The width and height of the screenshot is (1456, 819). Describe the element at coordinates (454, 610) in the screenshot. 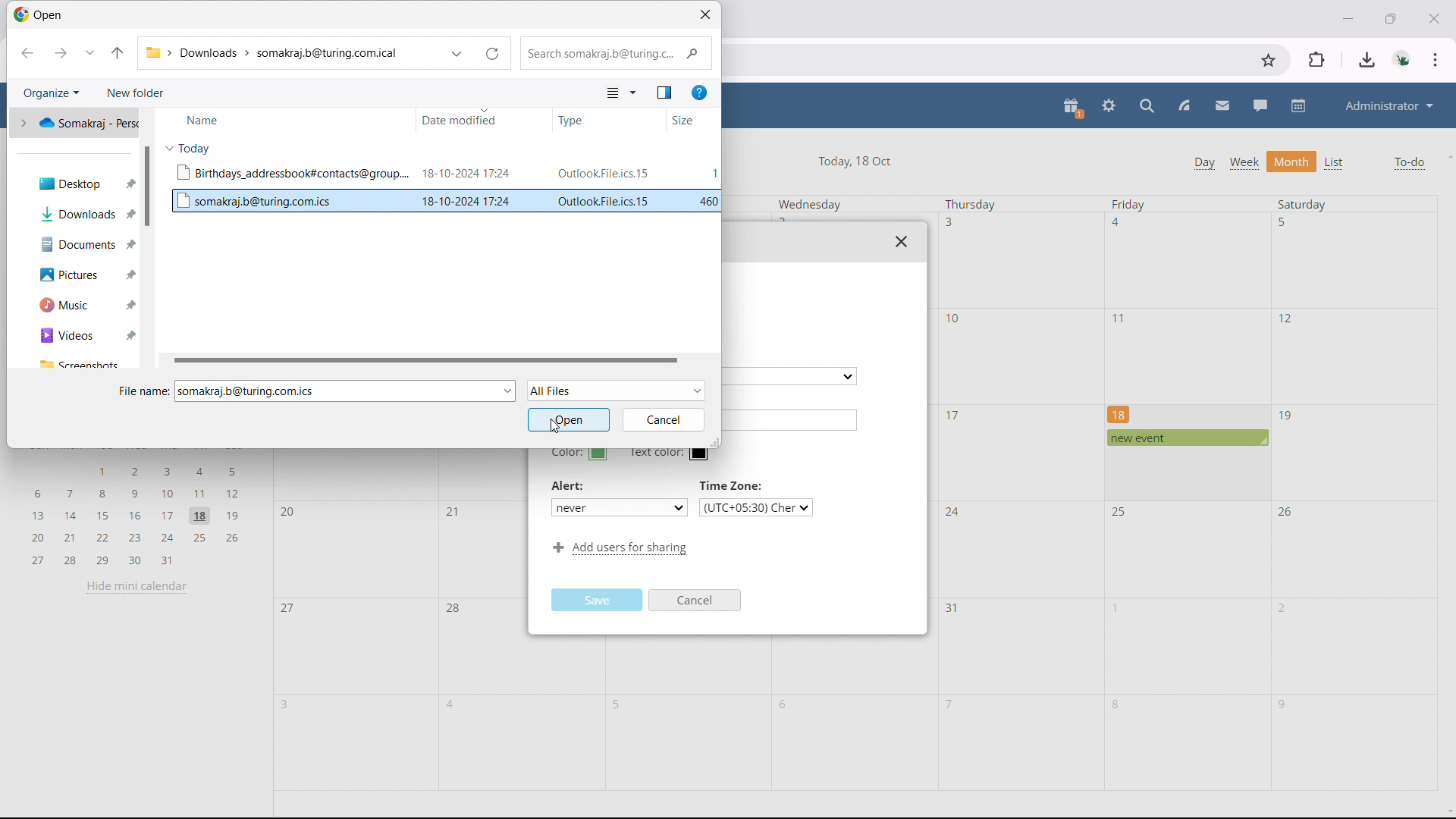

I see `28` at that location.